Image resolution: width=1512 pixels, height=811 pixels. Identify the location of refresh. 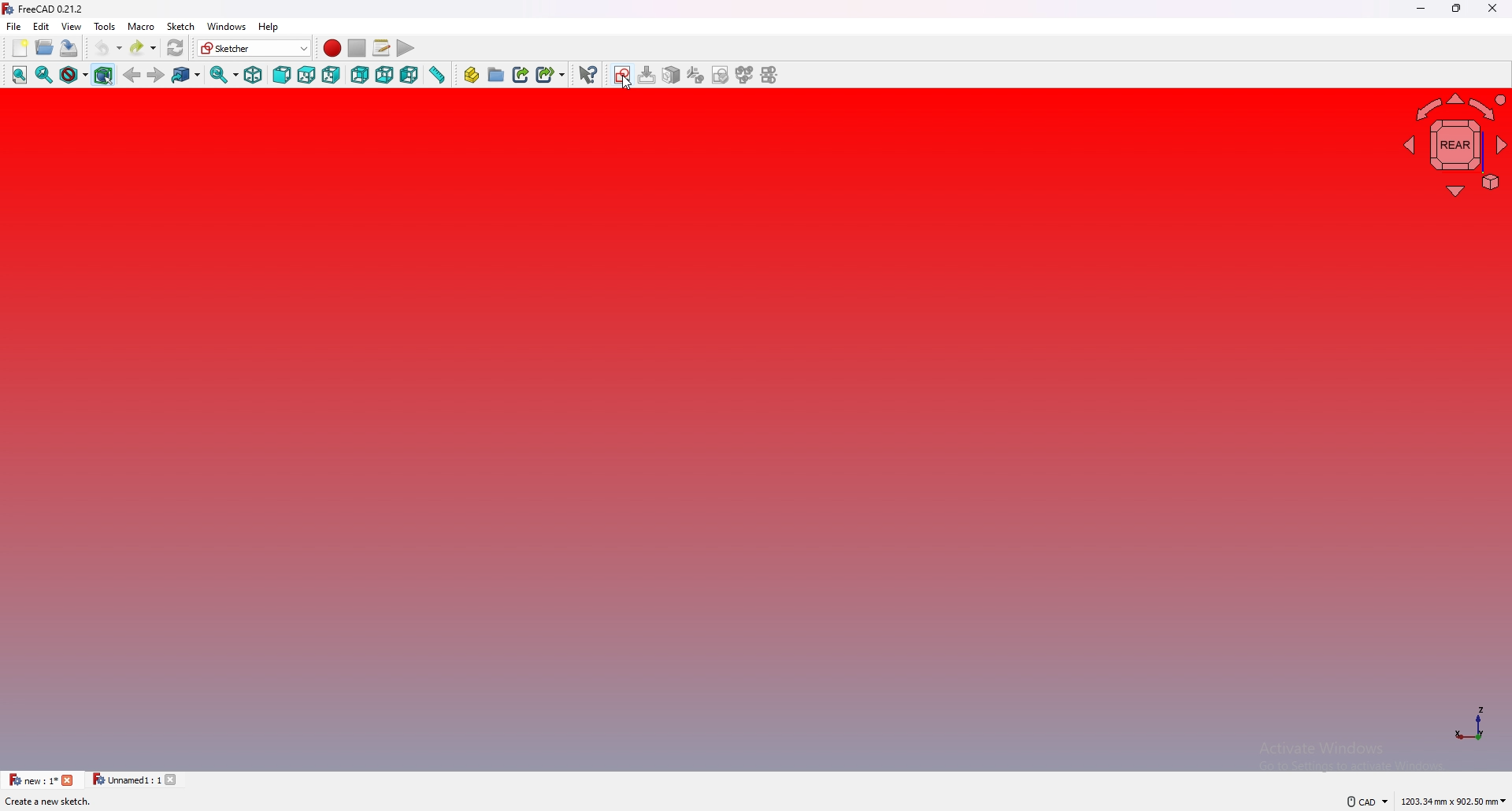
(176, 48).